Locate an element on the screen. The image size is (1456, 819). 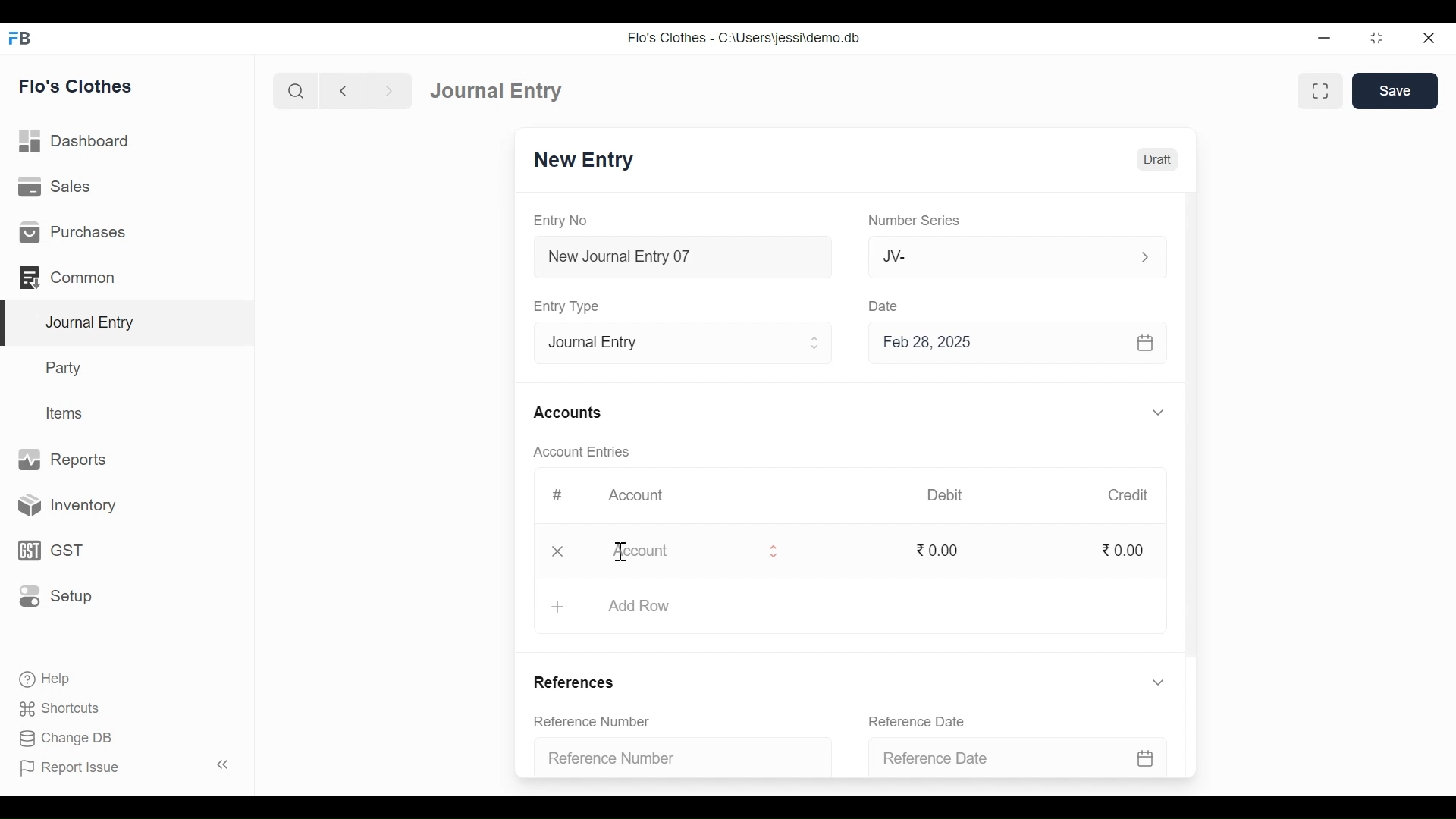
New Journal Entry 07 is located at coordinates (684, 259).